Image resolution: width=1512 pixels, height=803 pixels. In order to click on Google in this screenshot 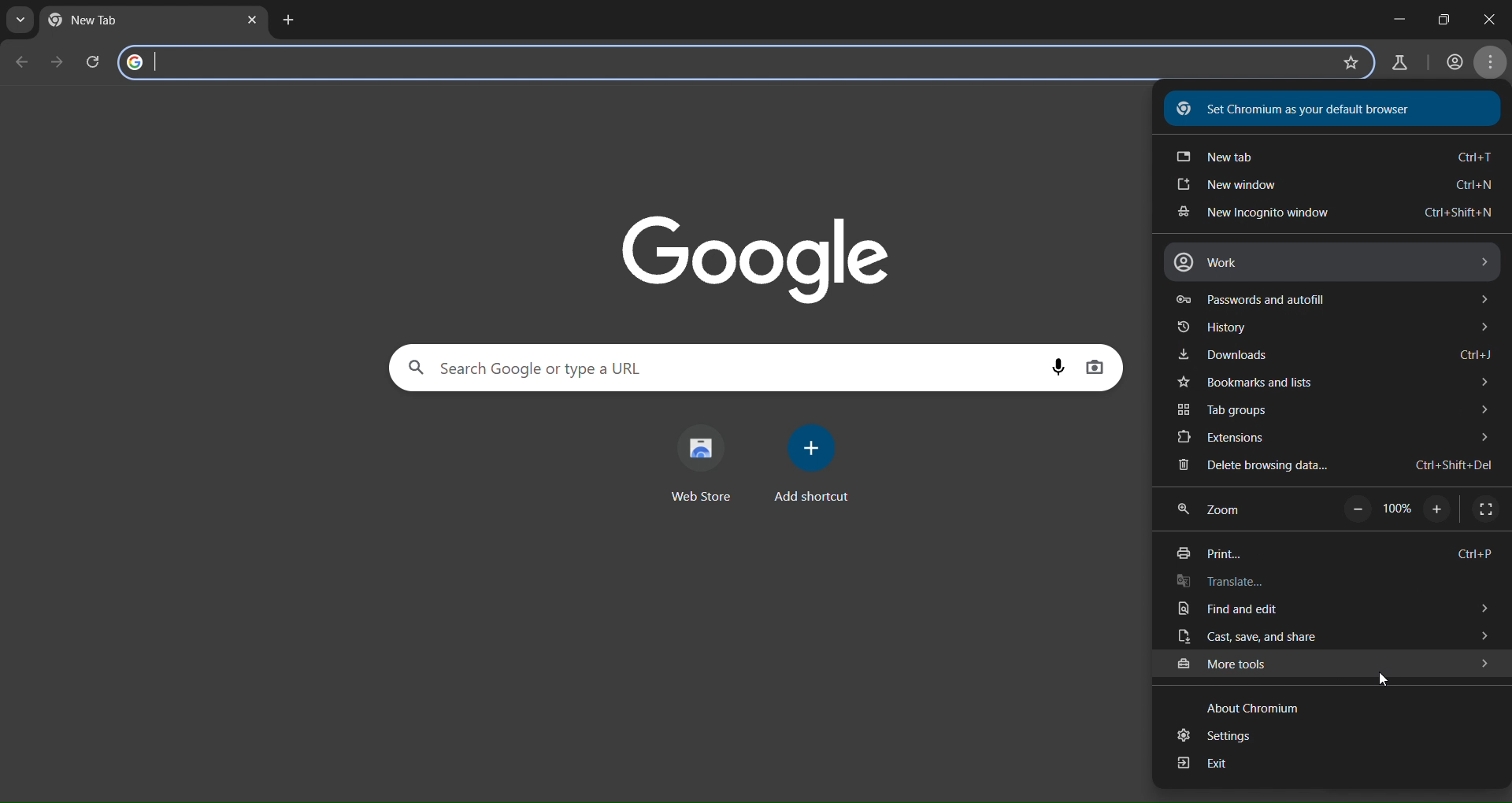, I will do `click(753, 254)`.